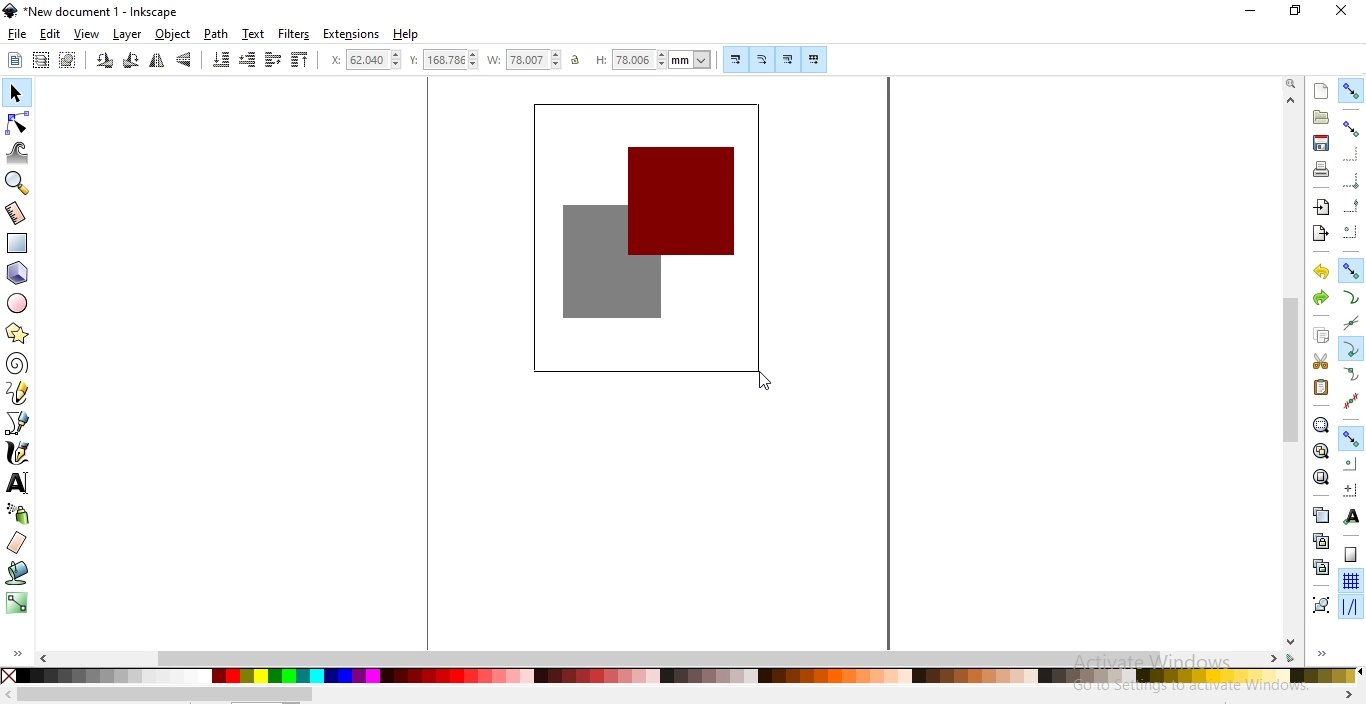  What do you see at coordinates (49, 34) in the screenshot?
I see `edit` at bounding box center [49, 34].